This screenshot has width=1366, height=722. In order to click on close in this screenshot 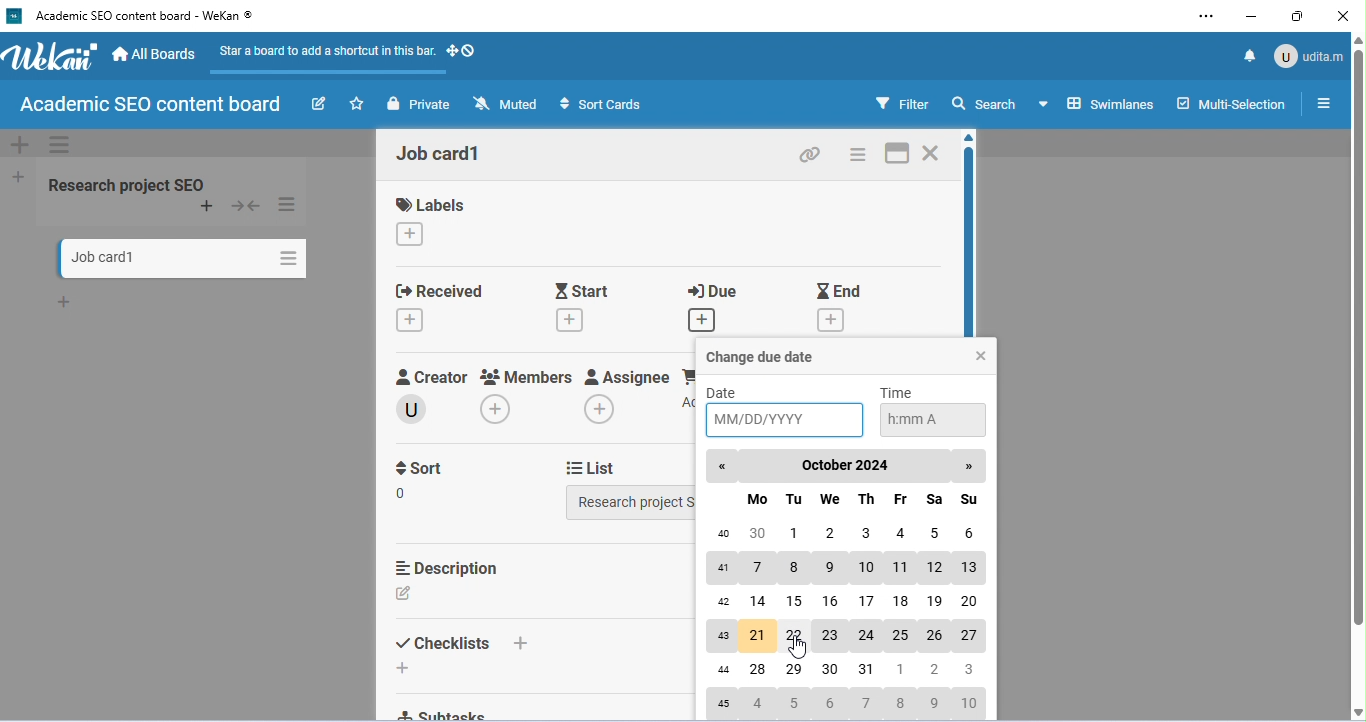, I will do `click(981, 354)`.